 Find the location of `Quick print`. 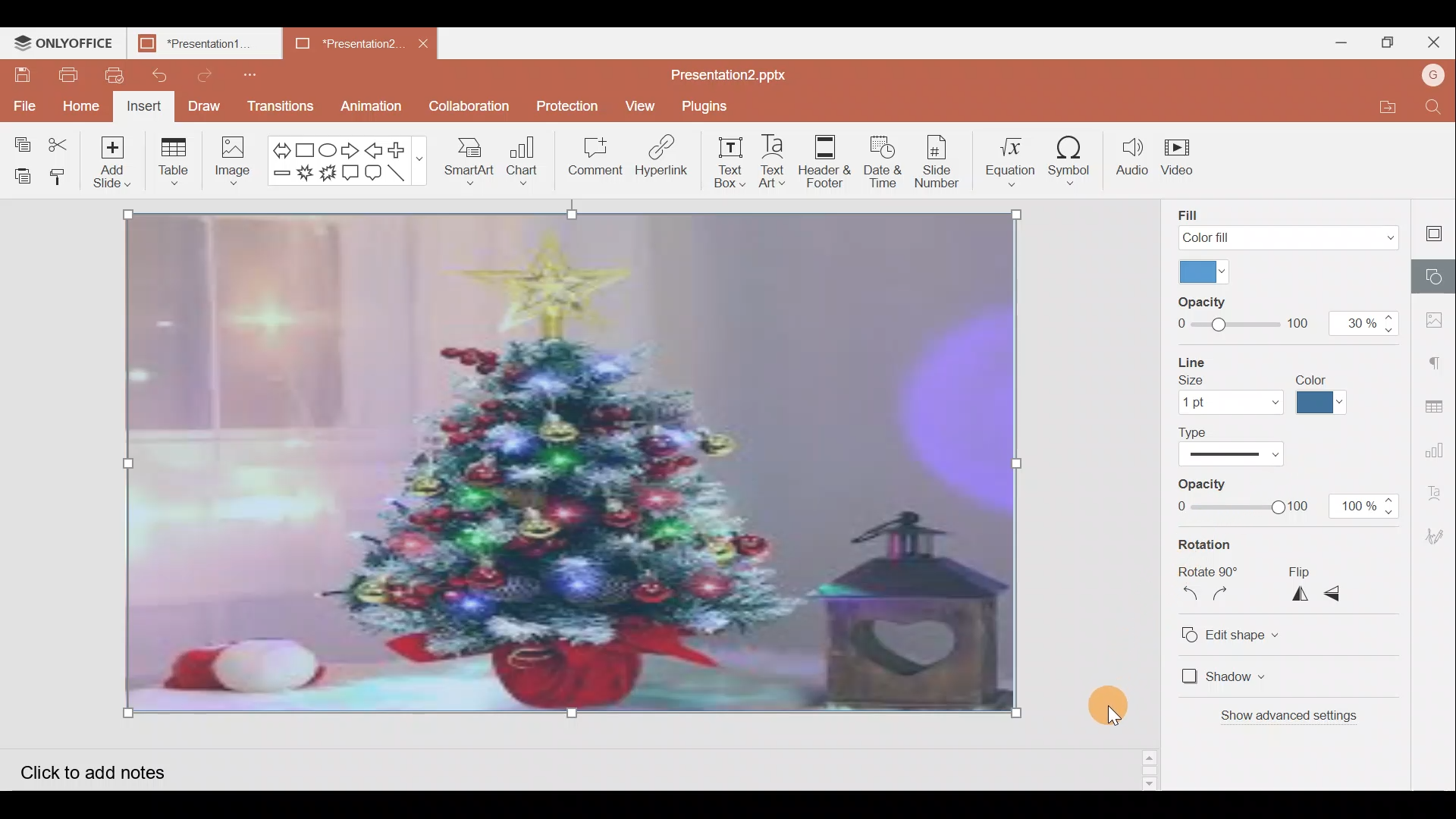

Quick print is located at coordinates (111, 73).